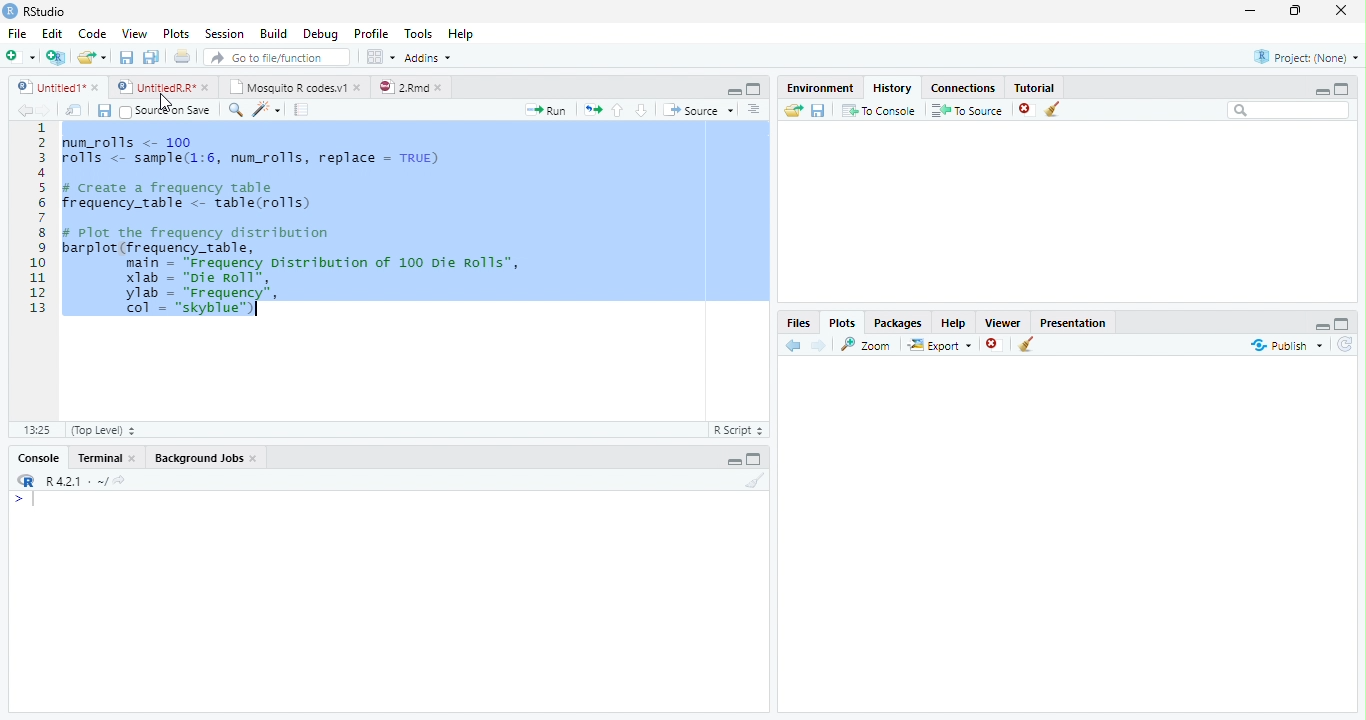 The width and height of the screenshot is (1366, 720). What do you see at coordinates (698, 111) in the screenshot?
I see `Source` at bounding box center [698, 111].